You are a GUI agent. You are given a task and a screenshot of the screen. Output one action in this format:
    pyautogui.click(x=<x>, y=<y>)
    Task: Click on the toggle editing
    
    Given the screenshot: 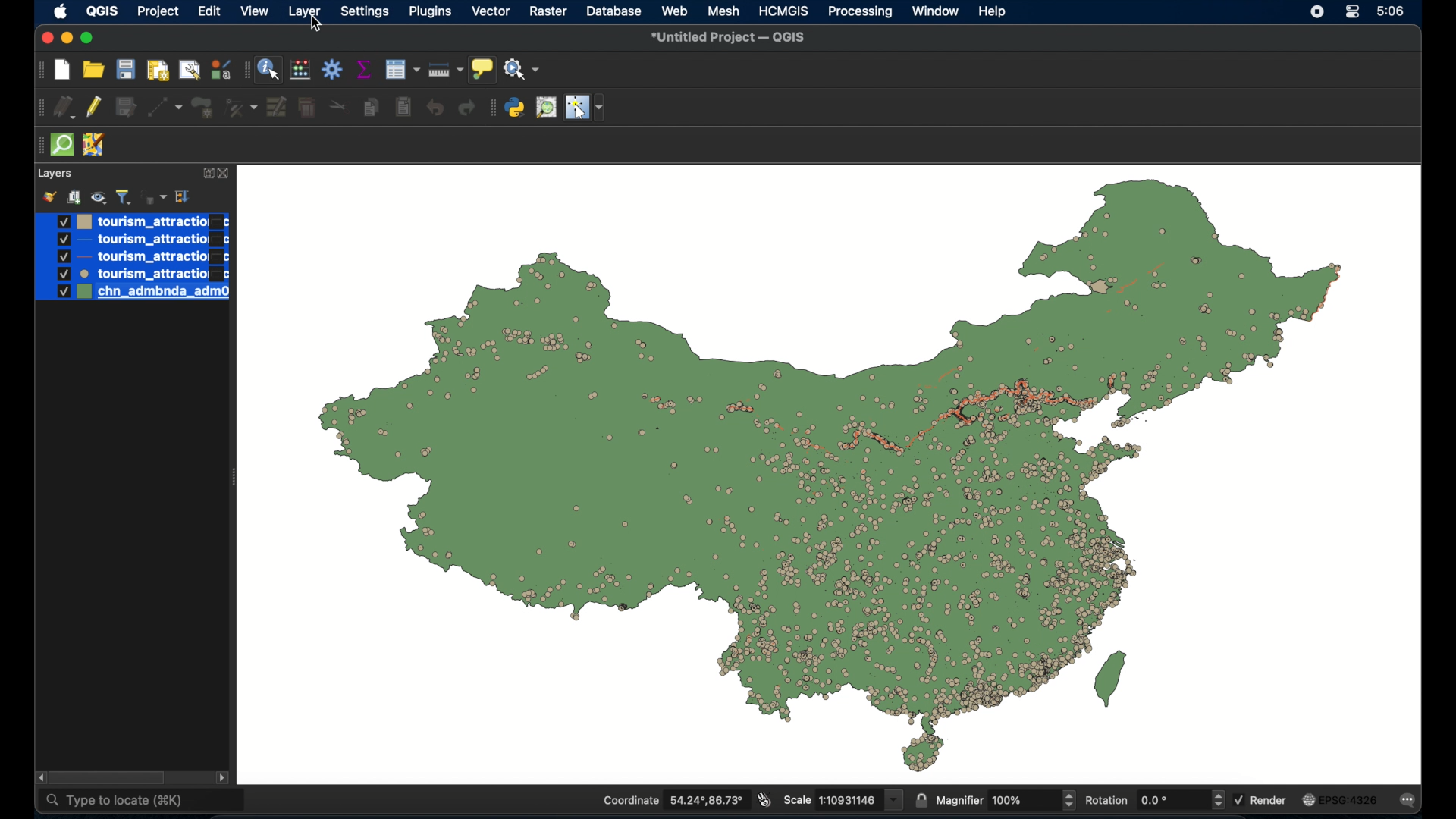 What is the action you would take?
    pyautogui.click(x=96, y=108)
    